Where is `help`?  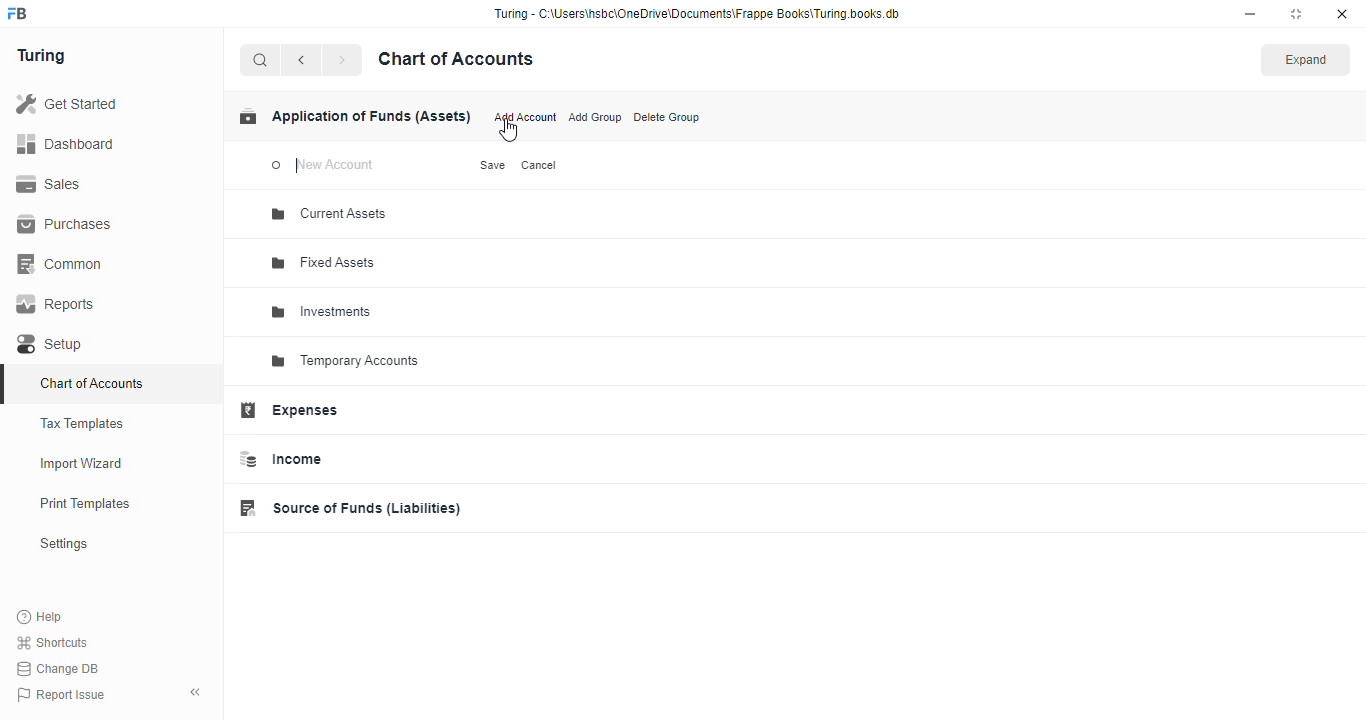 help is located at coordinates (40, 616).